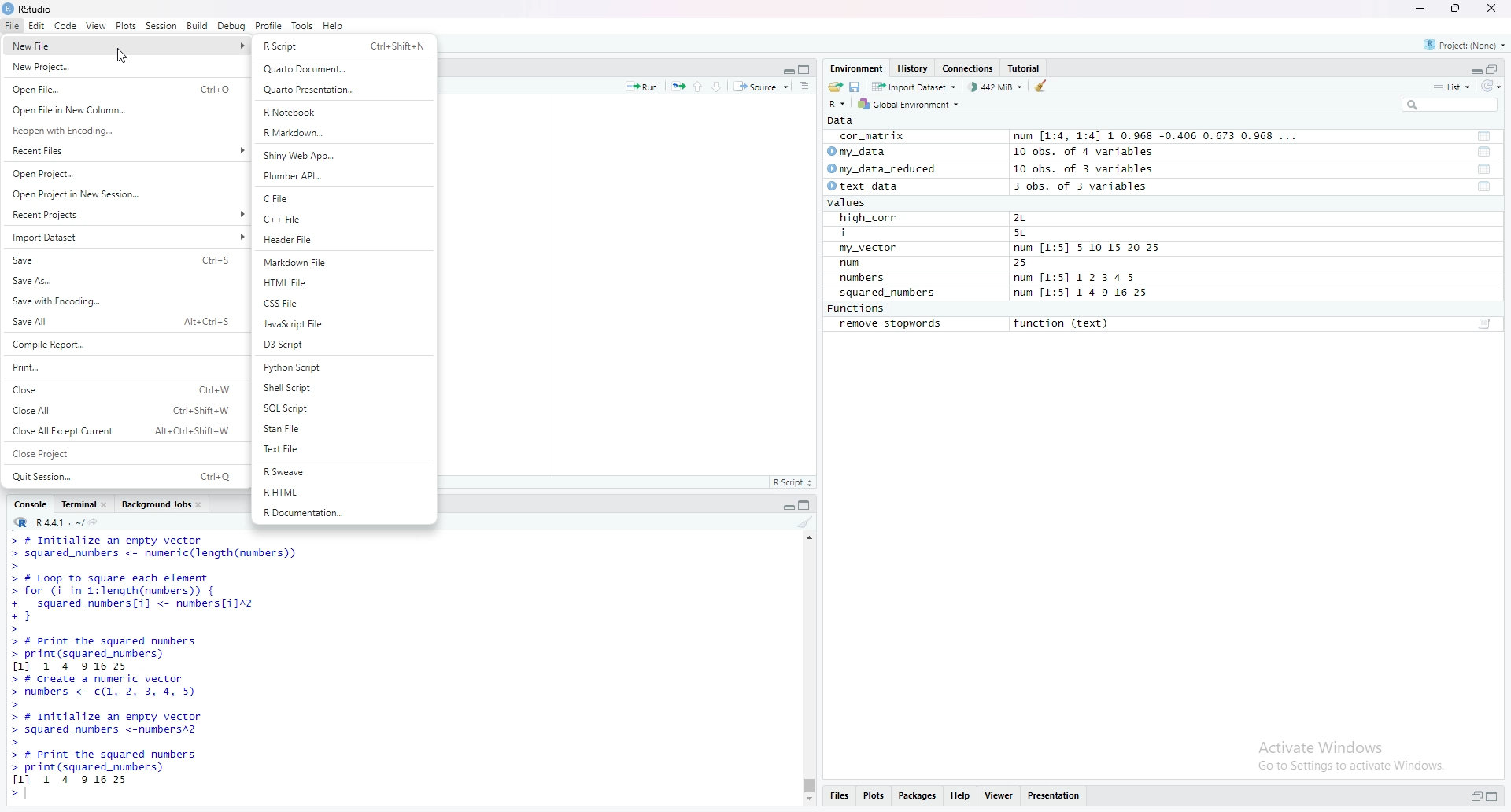 Image resolution: width=1511 pixels, height=812 pixels. Describe the element at coordinates (201, 504) in the screenshot. I see `close` at that location.